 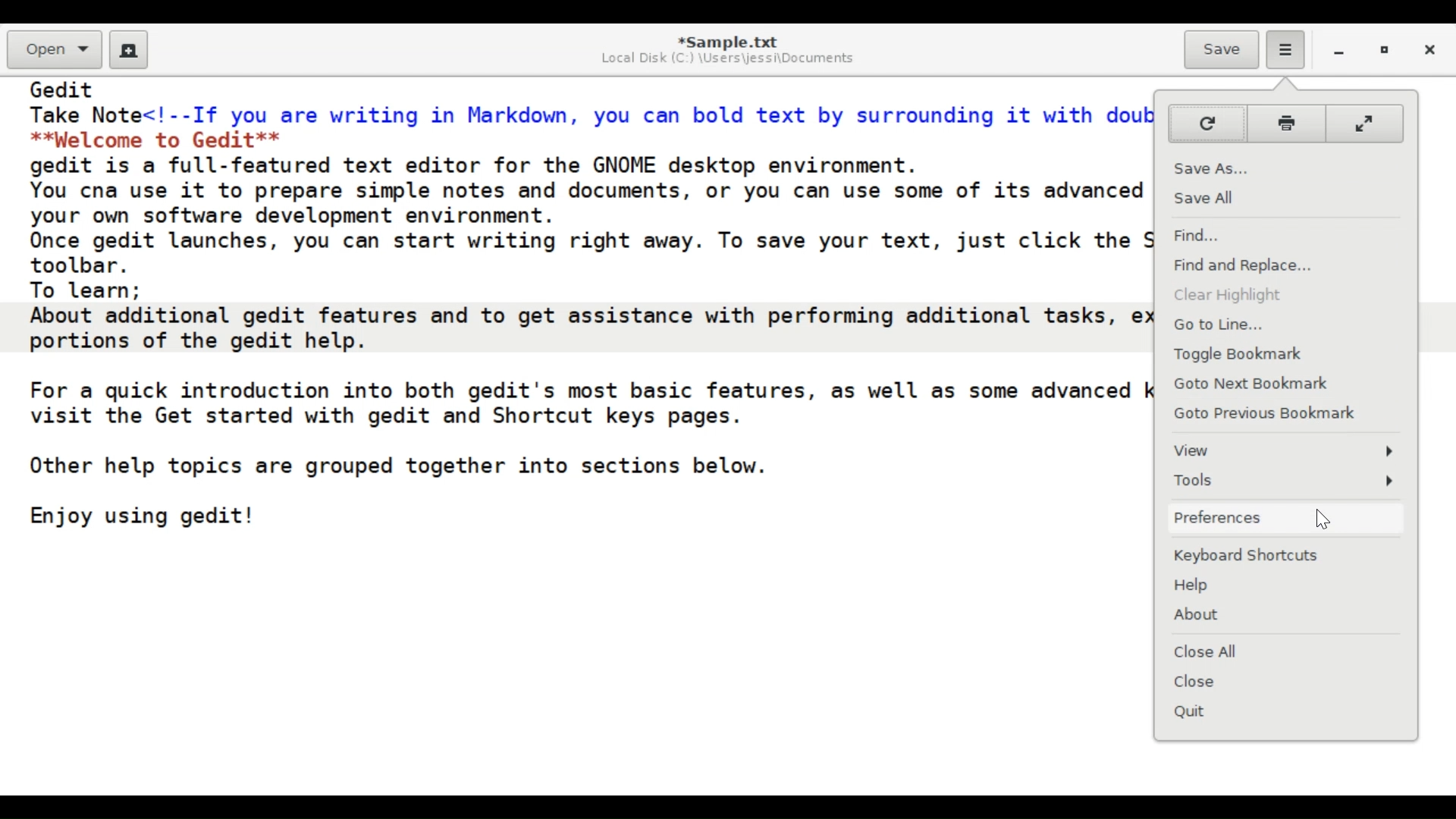 I want to click on Go to Line, so click(x=1282, y=325).